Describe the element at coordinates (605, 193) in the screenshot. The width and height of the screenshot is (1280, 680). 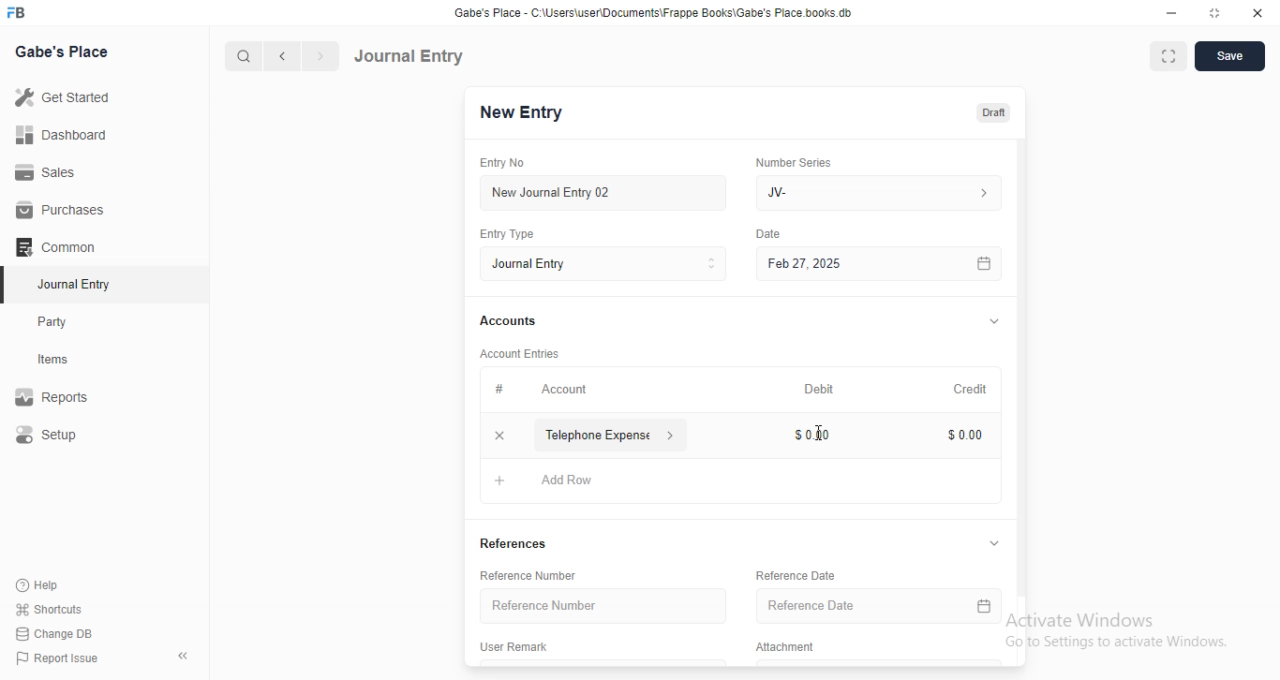
I see `New Journal Entry 02` at that location.